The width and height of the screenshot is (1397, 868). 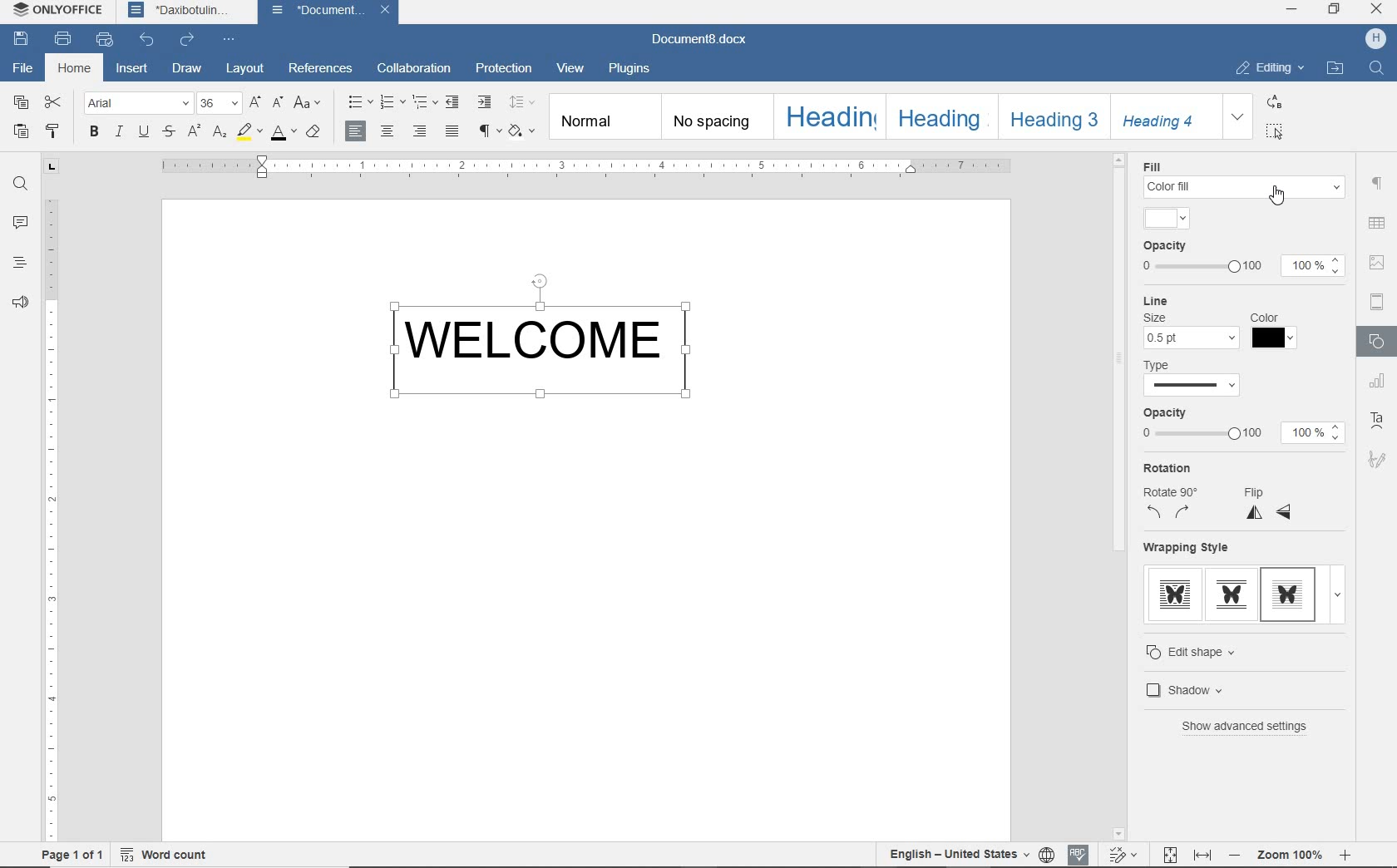 I want to click on PARAGRAPH LINE SPACING, so click(x=521, y=101).